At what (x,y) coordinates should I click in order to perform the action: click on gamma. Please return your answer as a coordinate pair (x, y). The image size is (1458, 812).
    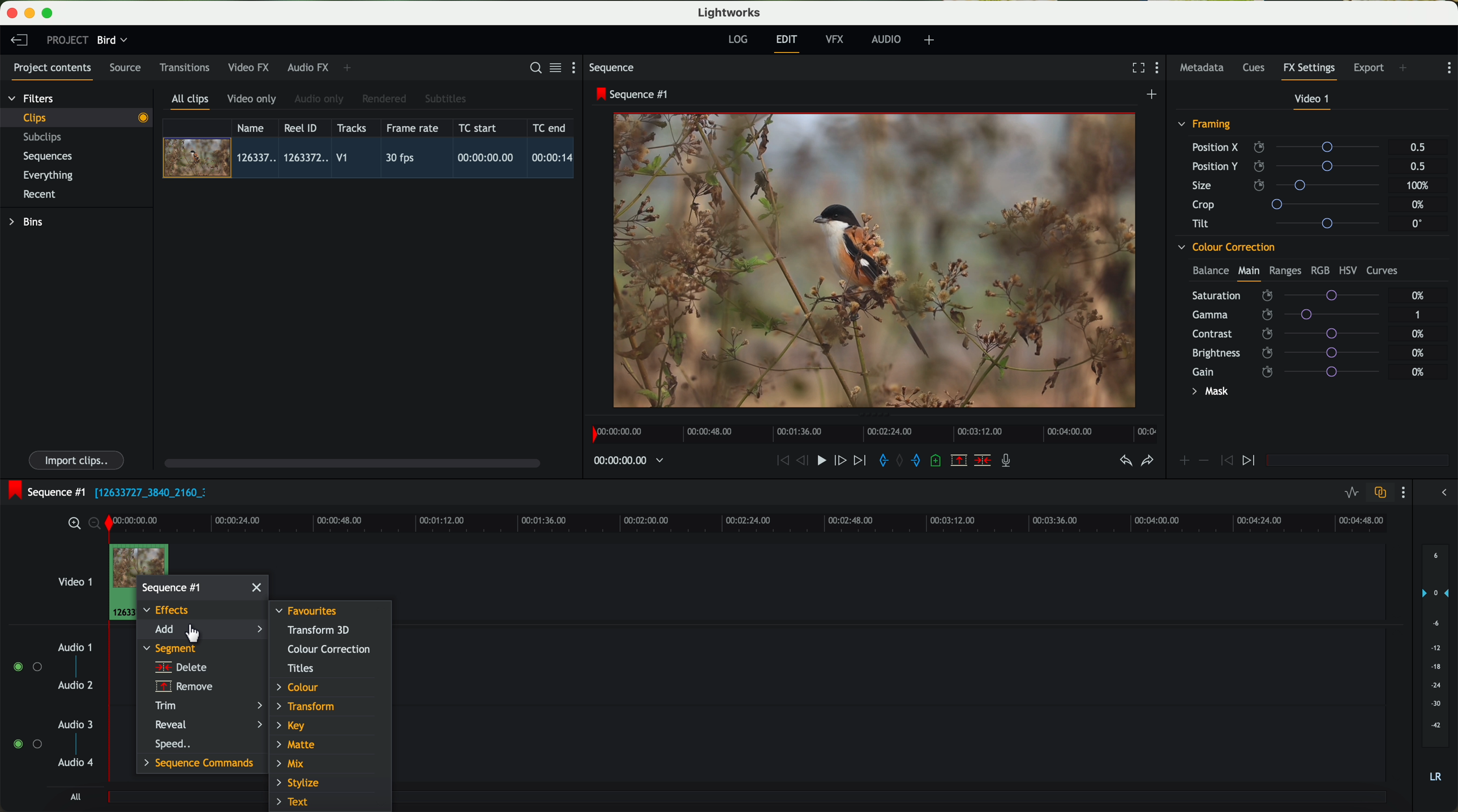
    Looking at the image, I should click on (1292, 314).